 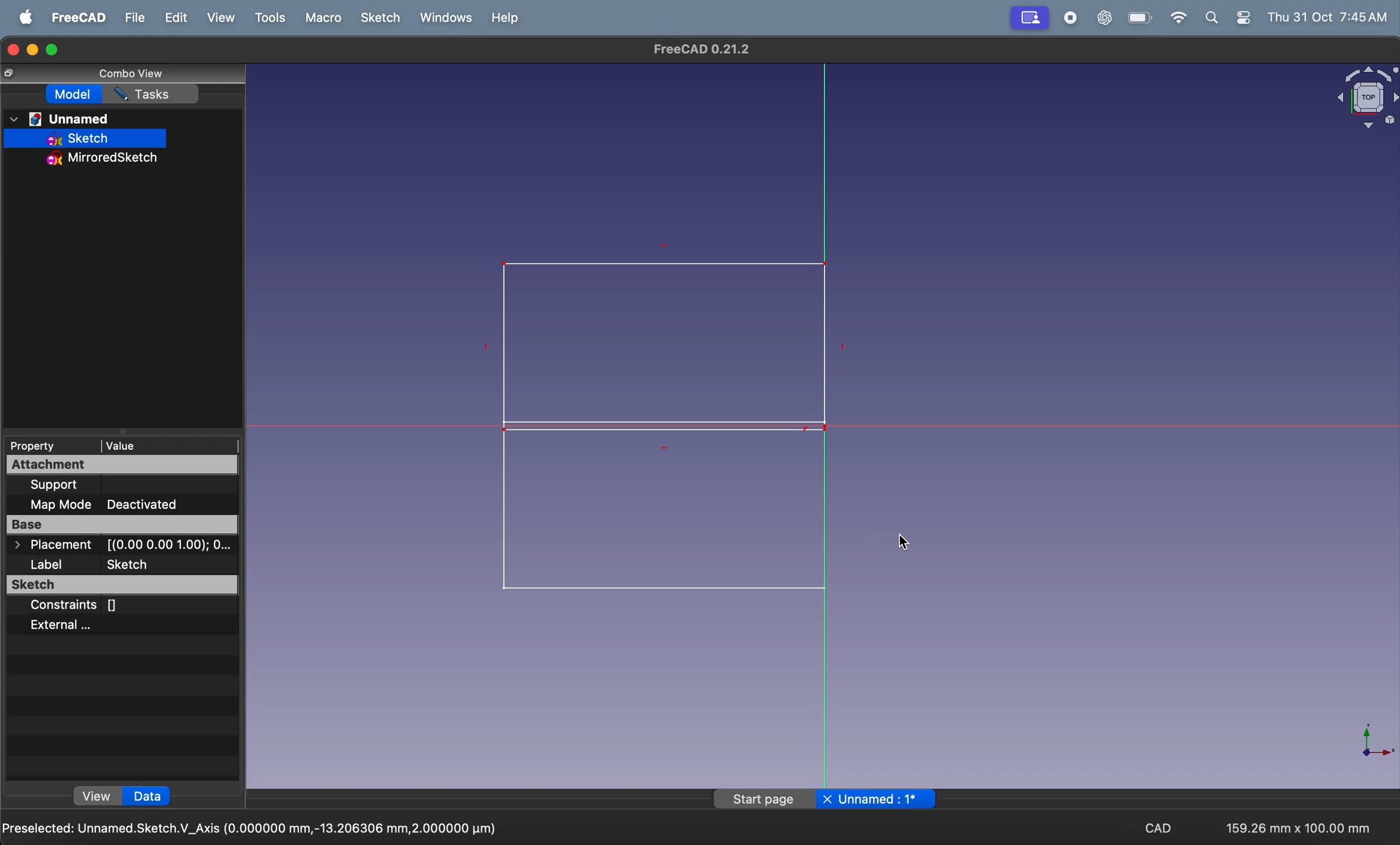 What do you see at coordinates (80, 16) in the screenshot?
I see `freecad` at bounding box center [80, 16].